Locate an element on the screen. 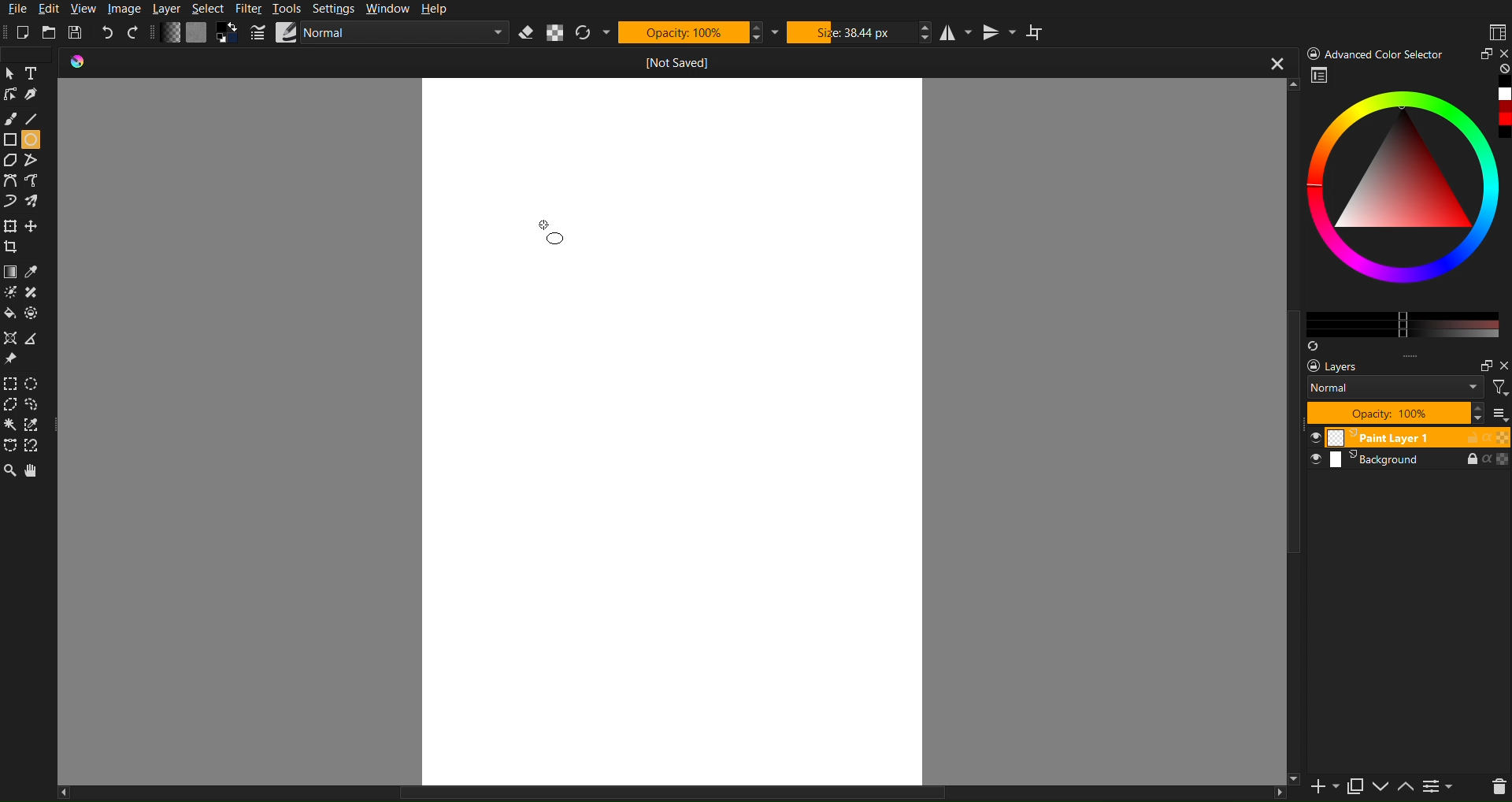 This screenshot has height=802, width=1512. Curve Tools is located at coordinates (10, 181).